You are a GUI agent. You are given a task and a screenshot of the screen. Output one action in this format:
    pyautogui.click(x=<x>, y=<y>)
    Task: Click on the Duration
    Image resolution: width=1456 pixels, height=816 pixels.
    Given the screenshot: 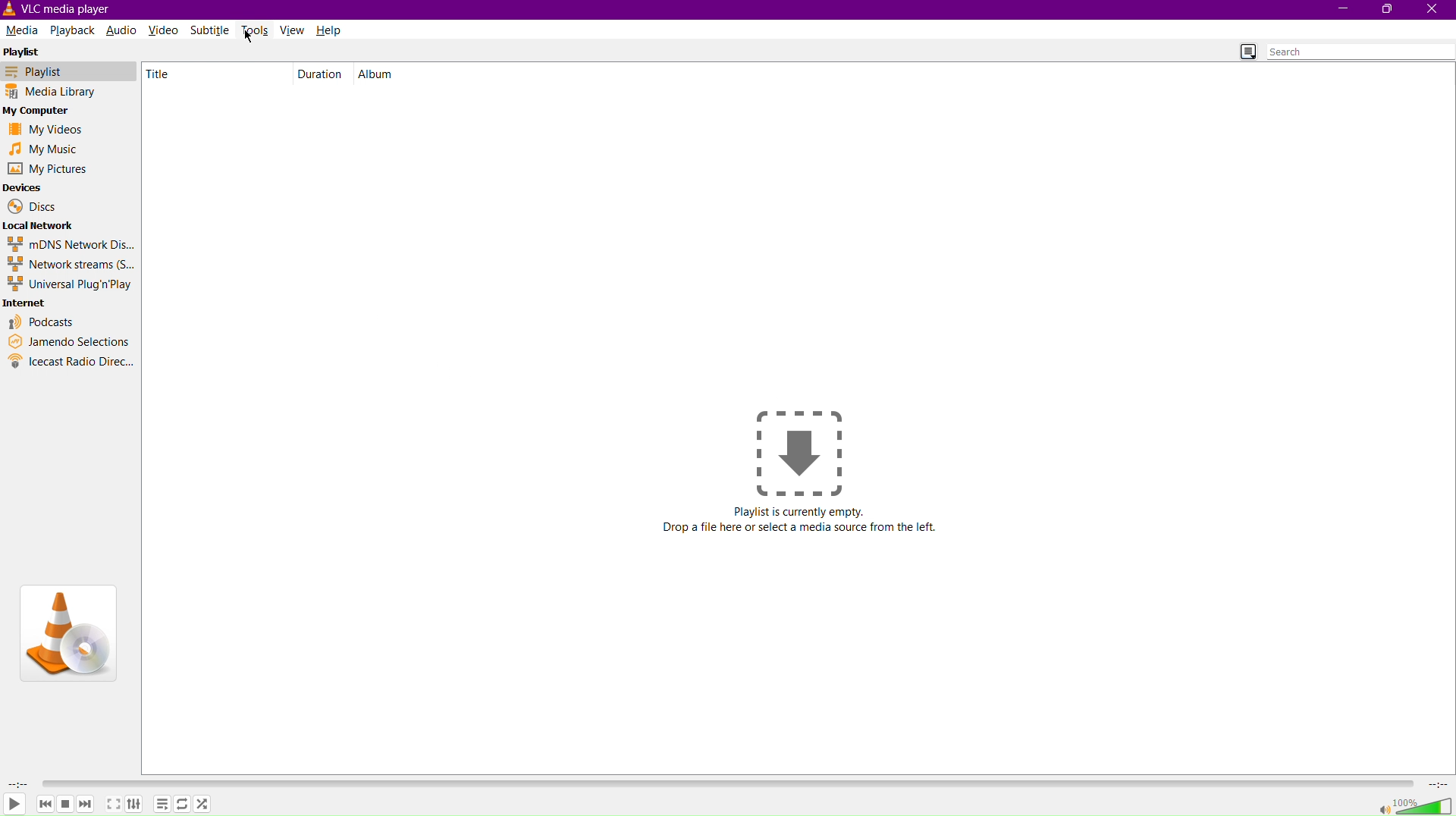 What is the action you would take?
    pyautogui.click(x=319, y=75)
    